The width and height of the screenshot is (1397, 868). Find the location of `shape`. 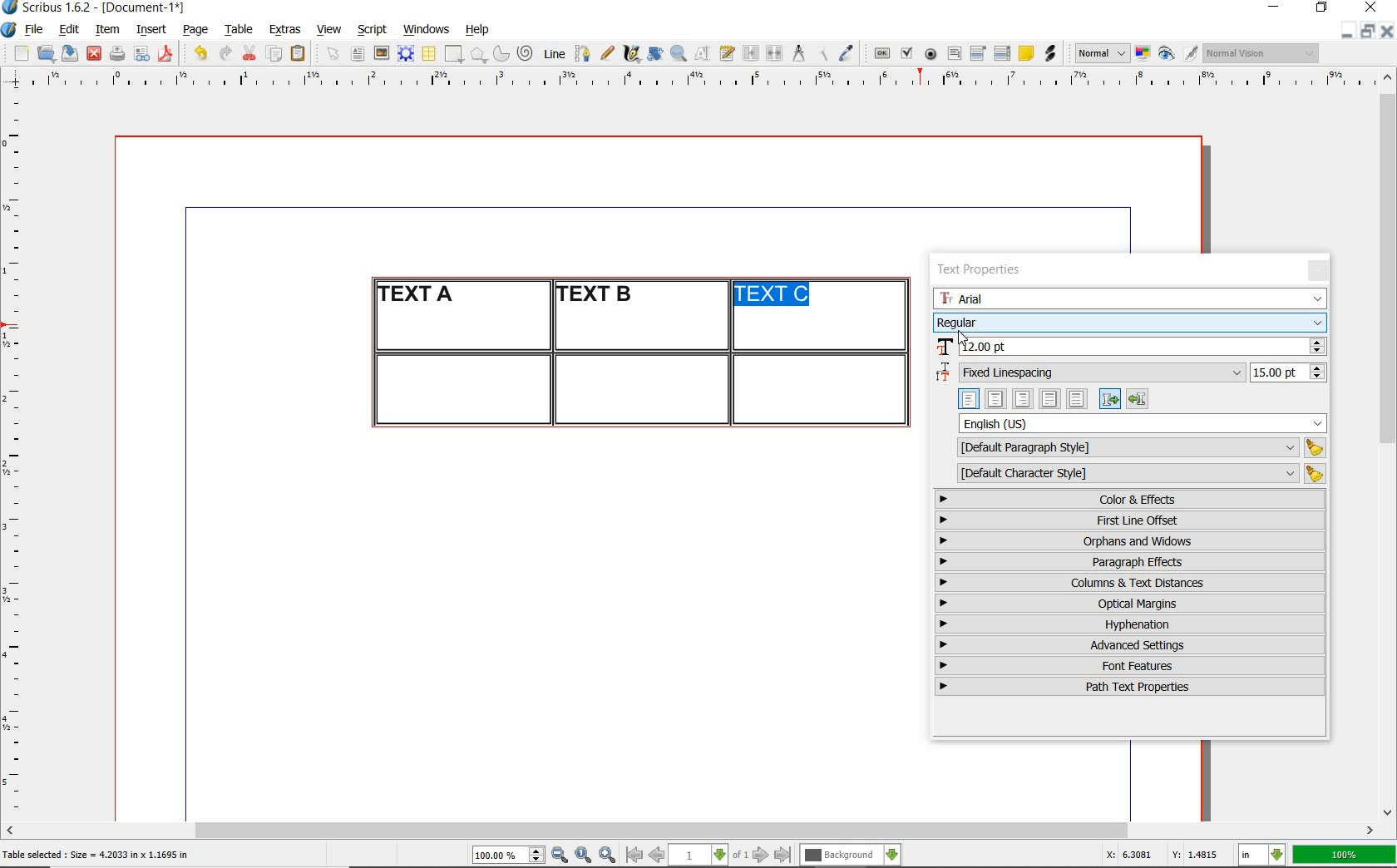

shape is located at coordinates (456, 55).